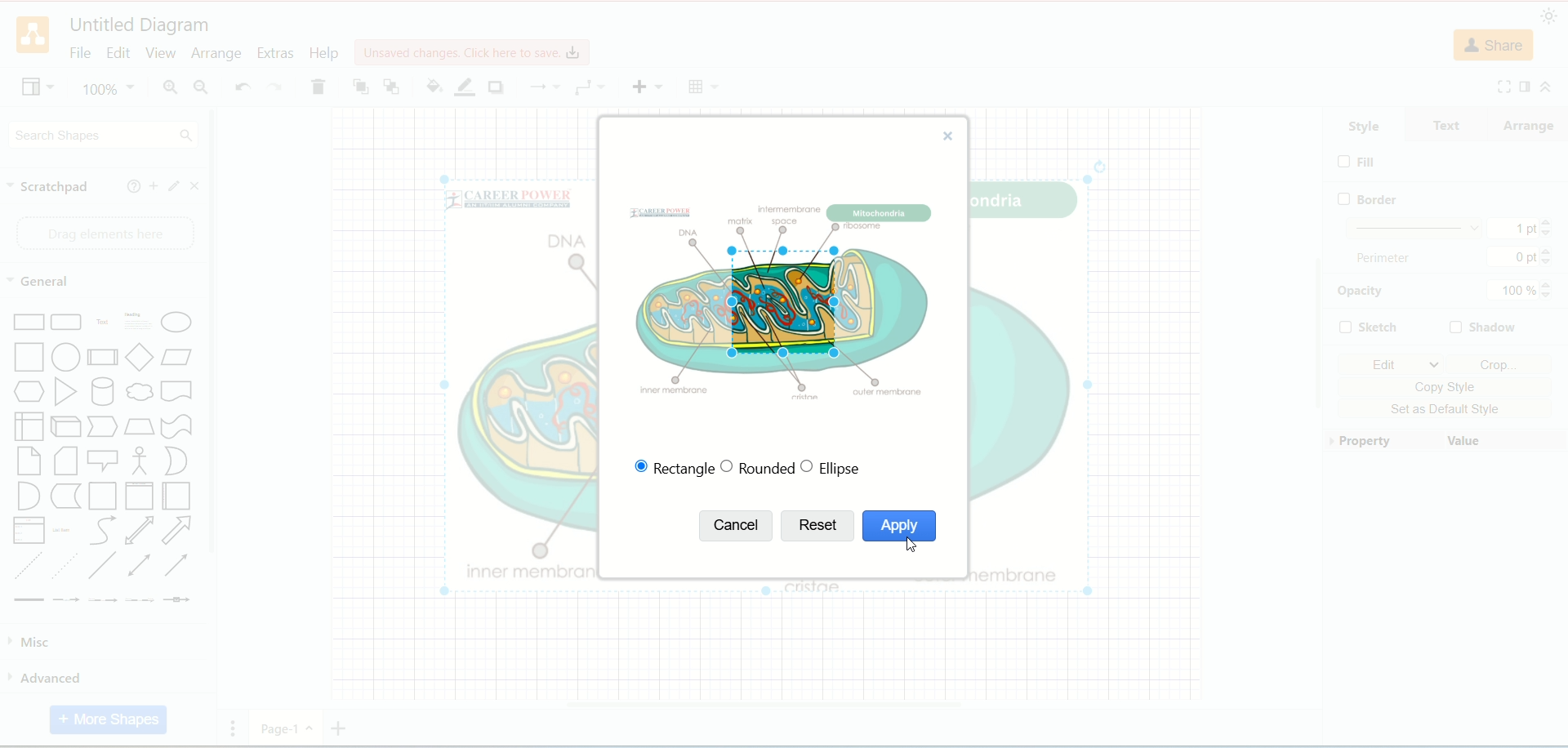 The height and width of the screenshot is (748, 1568). What do you see at coordinates (67, 323) in the screenshot?
I see `Curved Corner Rectangle` at bounding box center [67, 323].